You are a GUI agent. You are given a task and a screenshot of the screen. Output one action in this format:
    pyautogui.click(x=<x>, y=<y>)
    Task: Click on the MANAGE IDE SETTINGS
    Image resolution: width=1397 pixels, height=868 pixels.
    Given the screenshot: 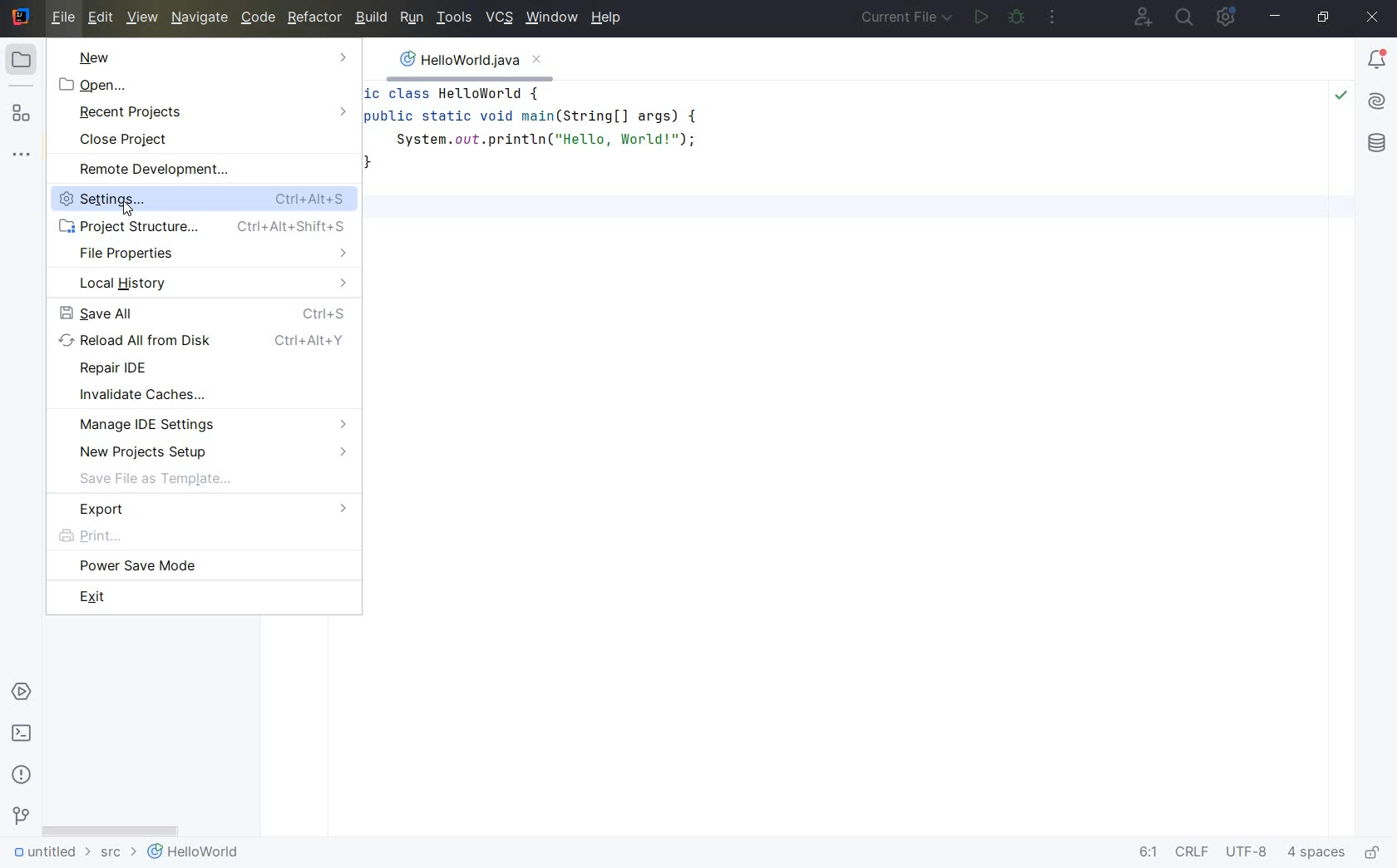 What is the action you would take?
    pyautogui.click(x=210, y=423)
    